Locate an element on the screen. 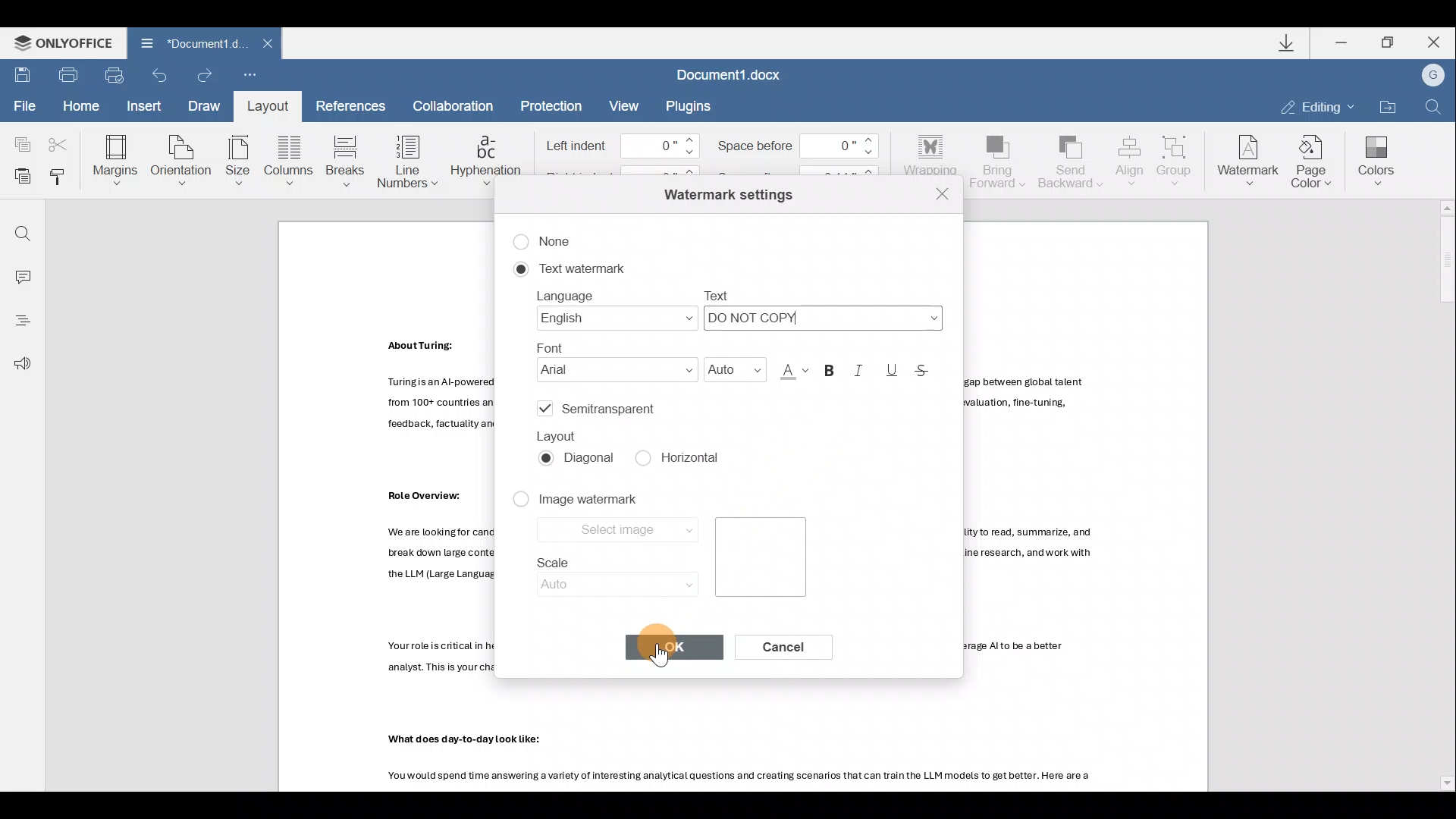 Image resolution: width=1456 pixels, height=819 pixels. Save is located at coordinates (20, 76).